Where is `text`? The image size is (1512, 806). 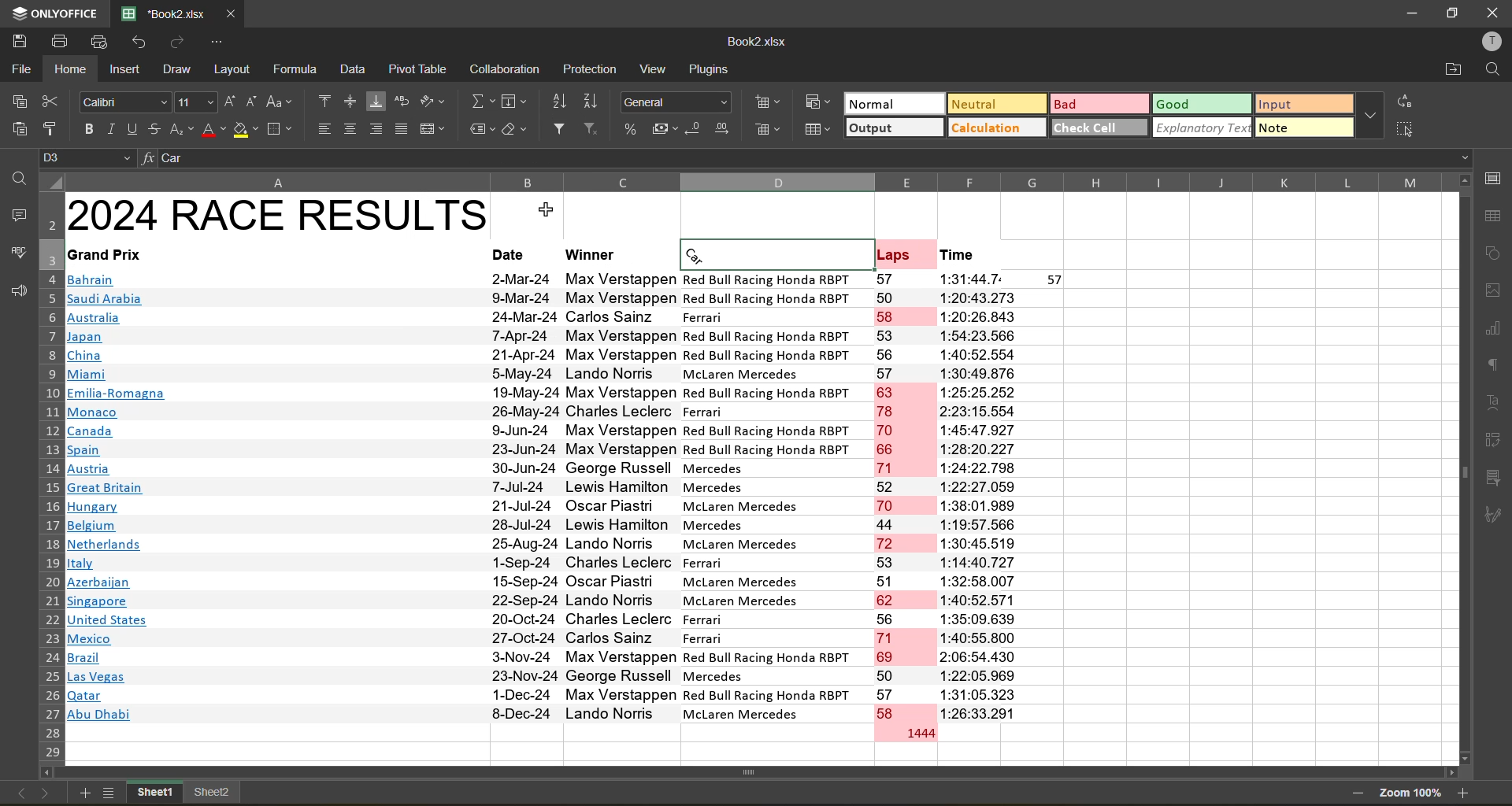
text is located at coordinates (1495, 402).